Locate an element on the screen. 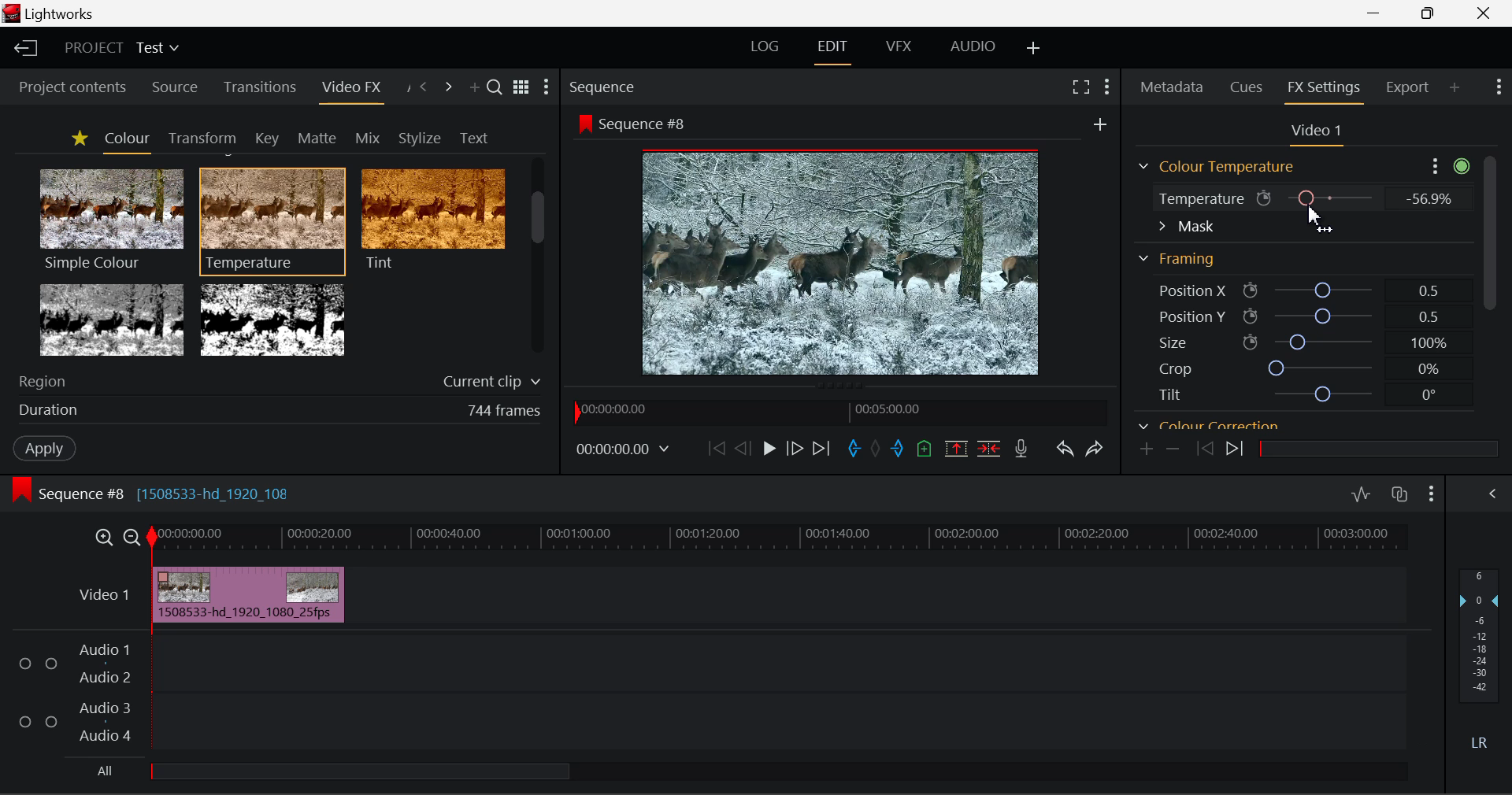  00:05:00.00 is located at coordinates (891, 409).